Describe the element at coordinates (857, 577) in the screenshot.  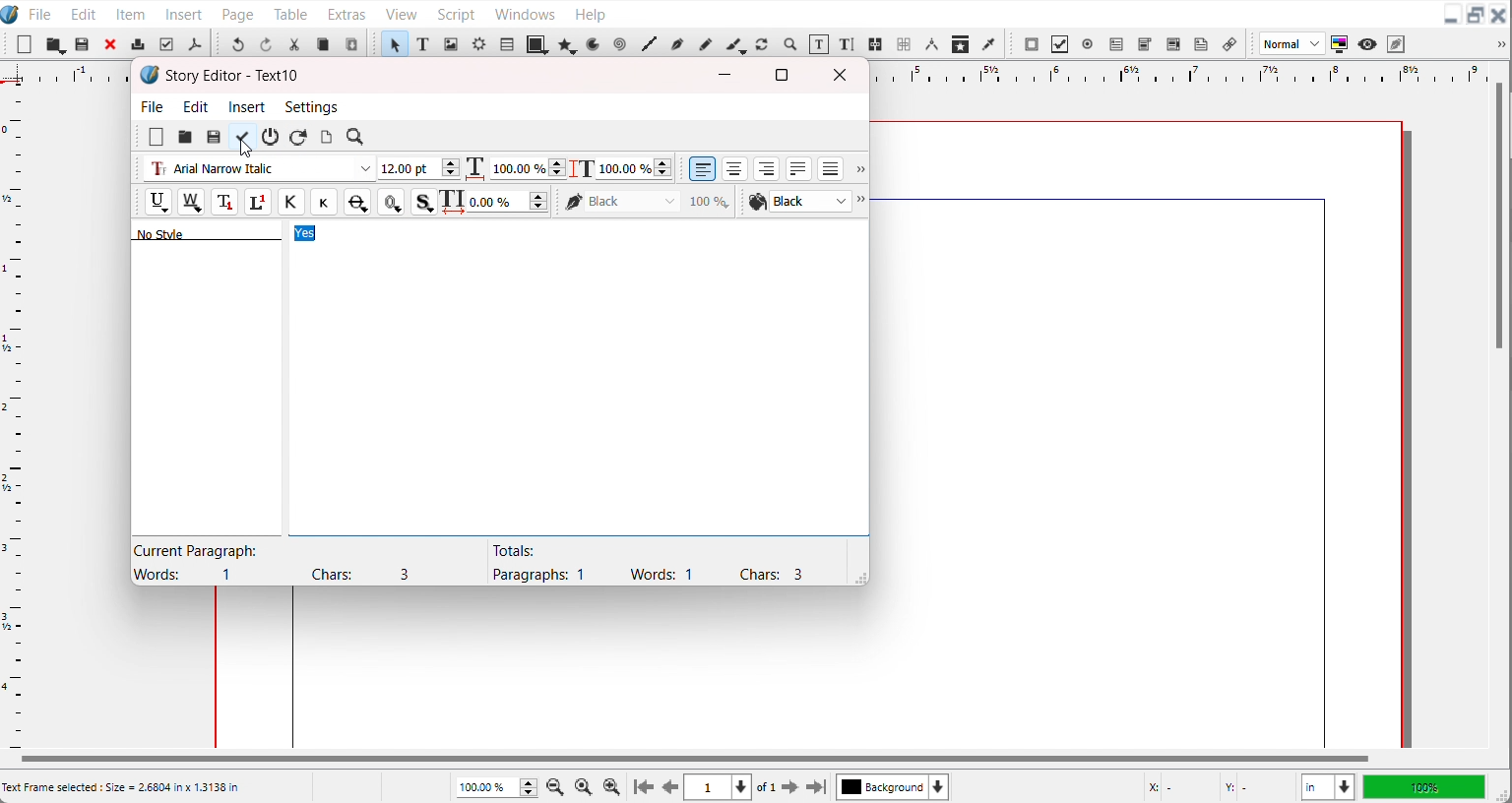
I see `Window adjuster` at that location.